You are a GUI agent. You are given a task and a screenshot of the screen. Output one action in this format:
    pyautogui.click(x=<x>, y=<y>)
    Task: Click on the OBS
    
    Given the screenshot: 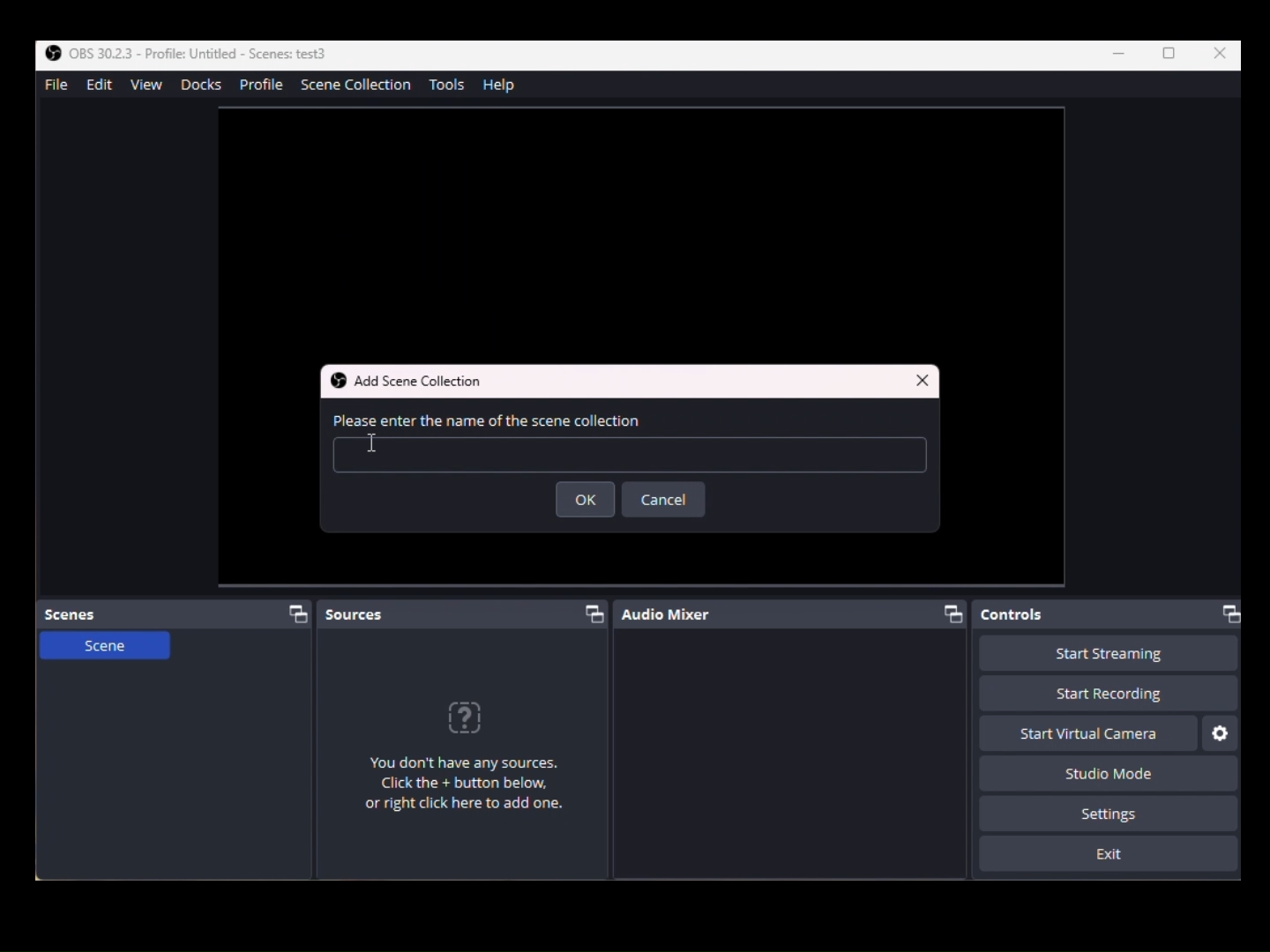 What is the action you would take?
    pyautogui.click(x=182, y=53)
    